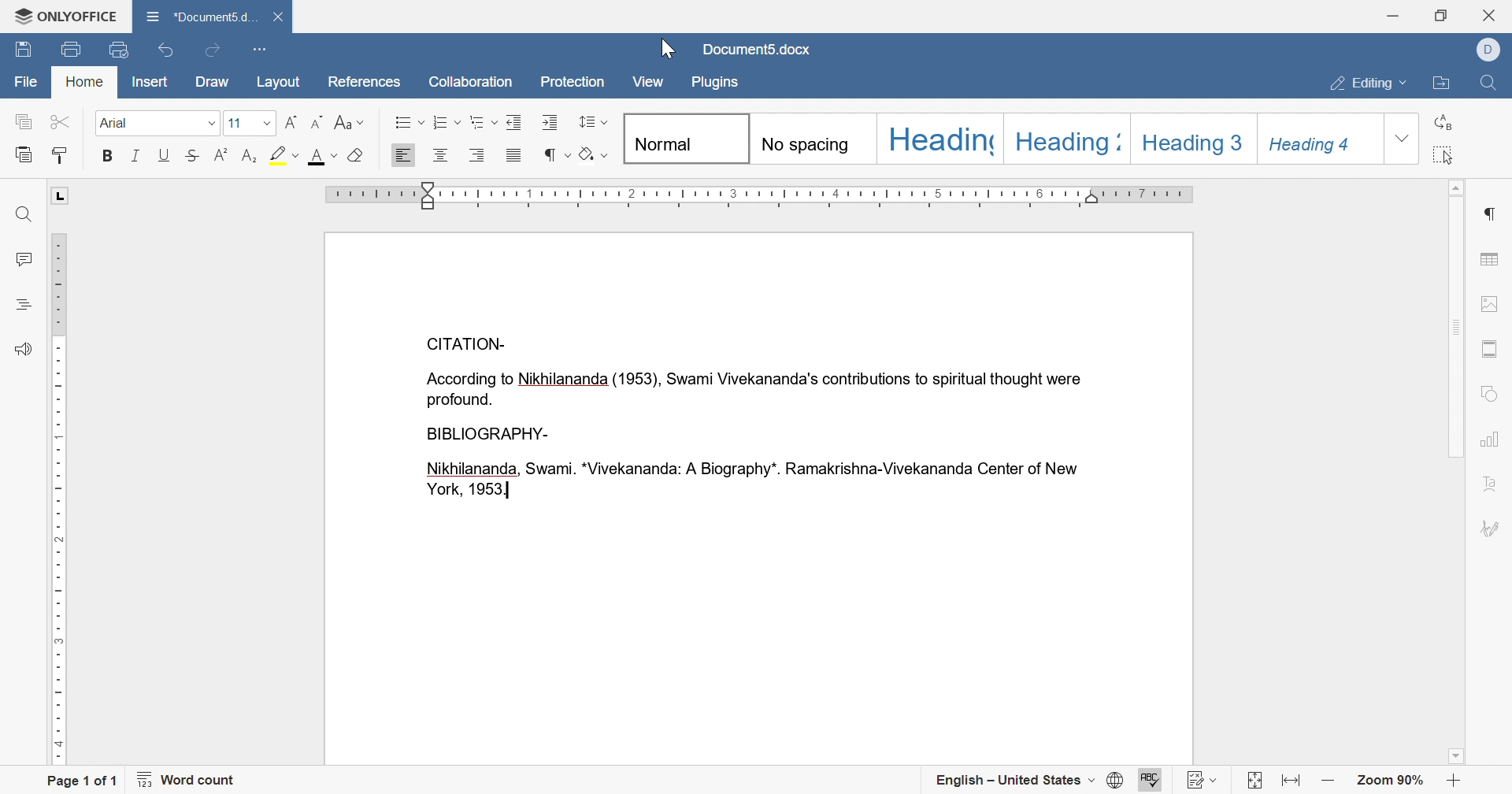  What do you see at coordinates (276, 85) in the screenshot?
I see `layout` at bounding box center [276, 85].